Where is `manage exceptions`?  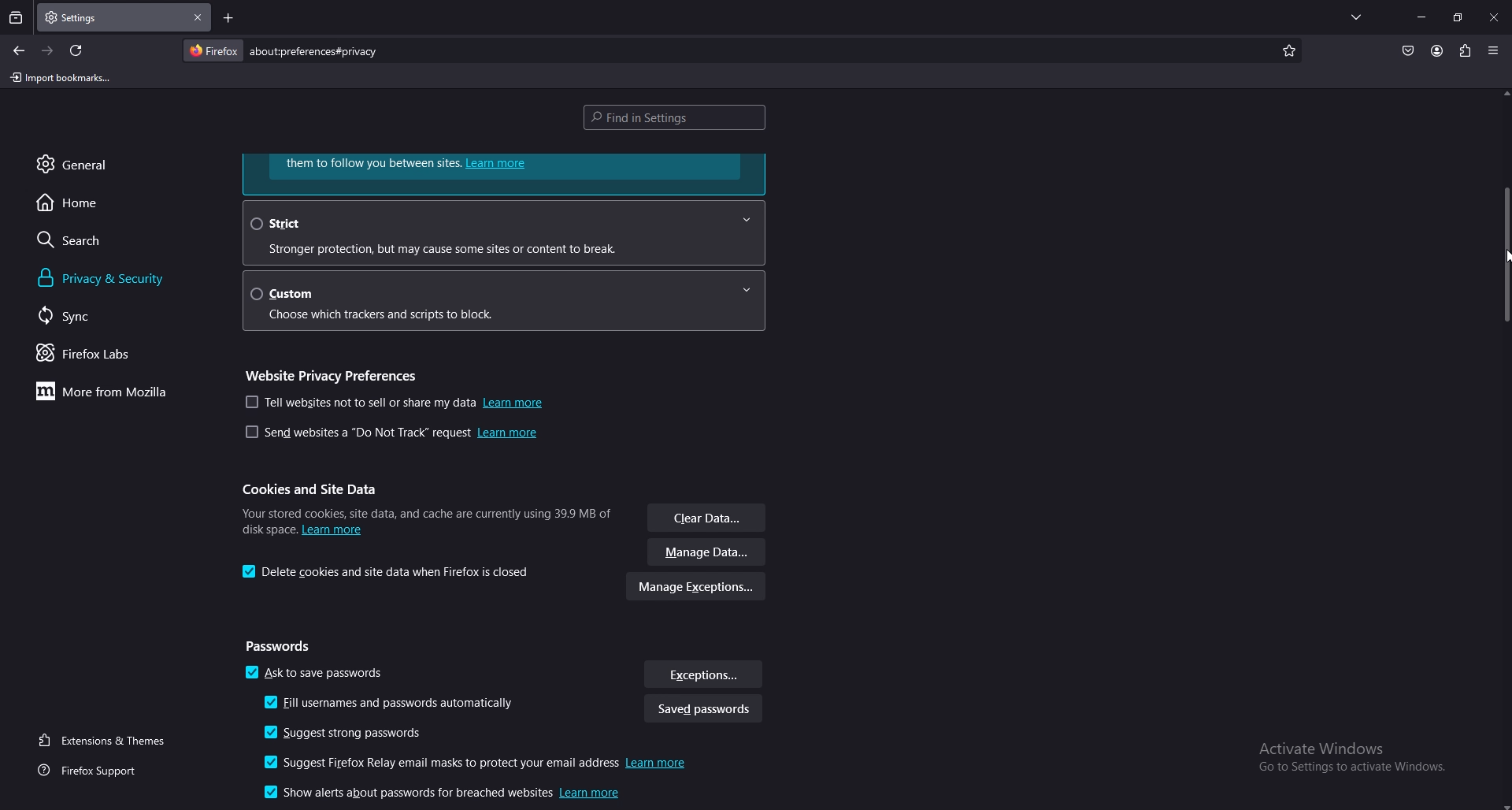
manage exceptions is located at coordinates (697, 589).